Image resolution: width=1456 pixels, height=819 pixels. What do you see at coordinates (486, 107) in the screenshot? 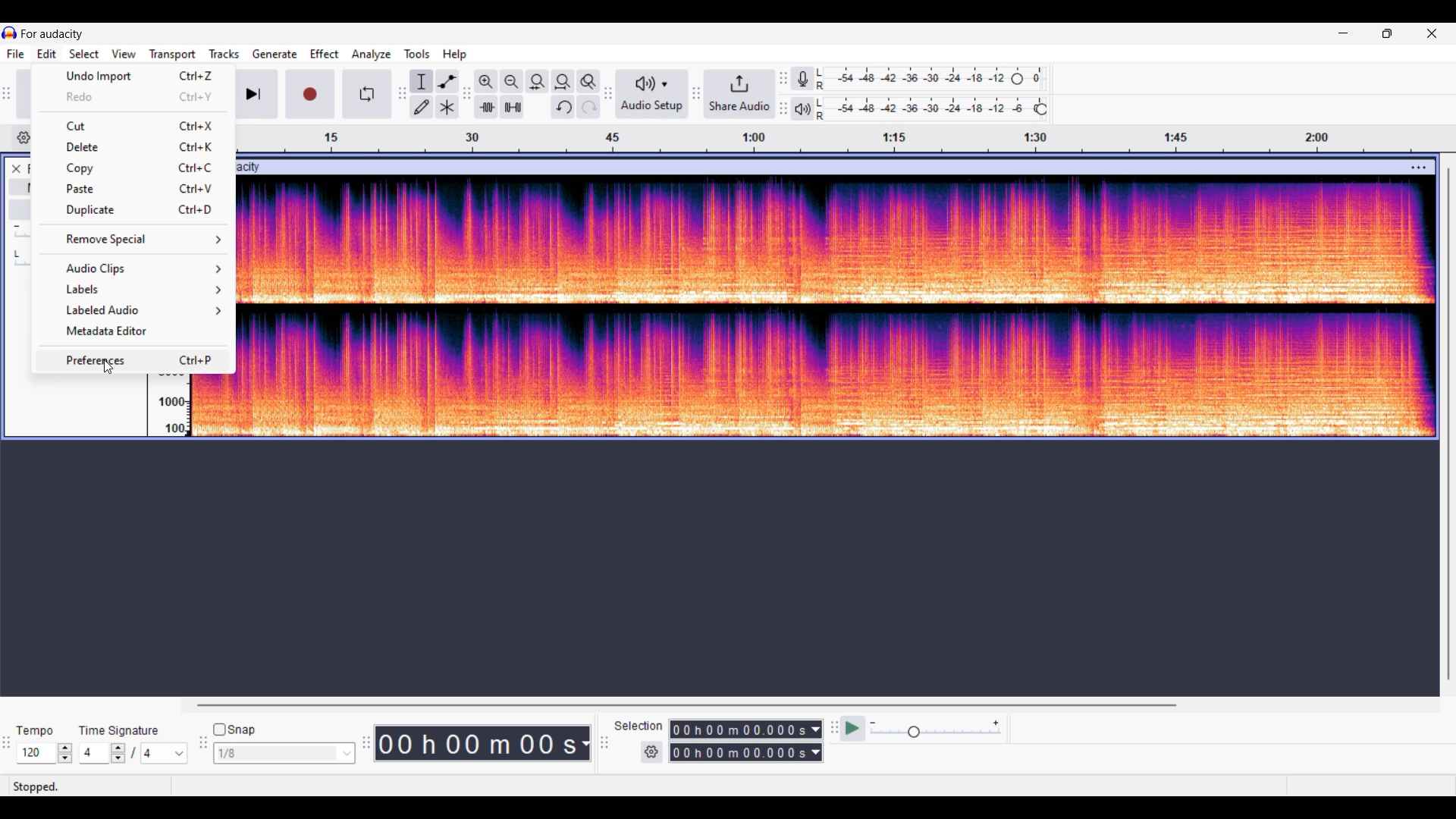
I see `Trim audio outside selection` at bounding box center [486, 107].